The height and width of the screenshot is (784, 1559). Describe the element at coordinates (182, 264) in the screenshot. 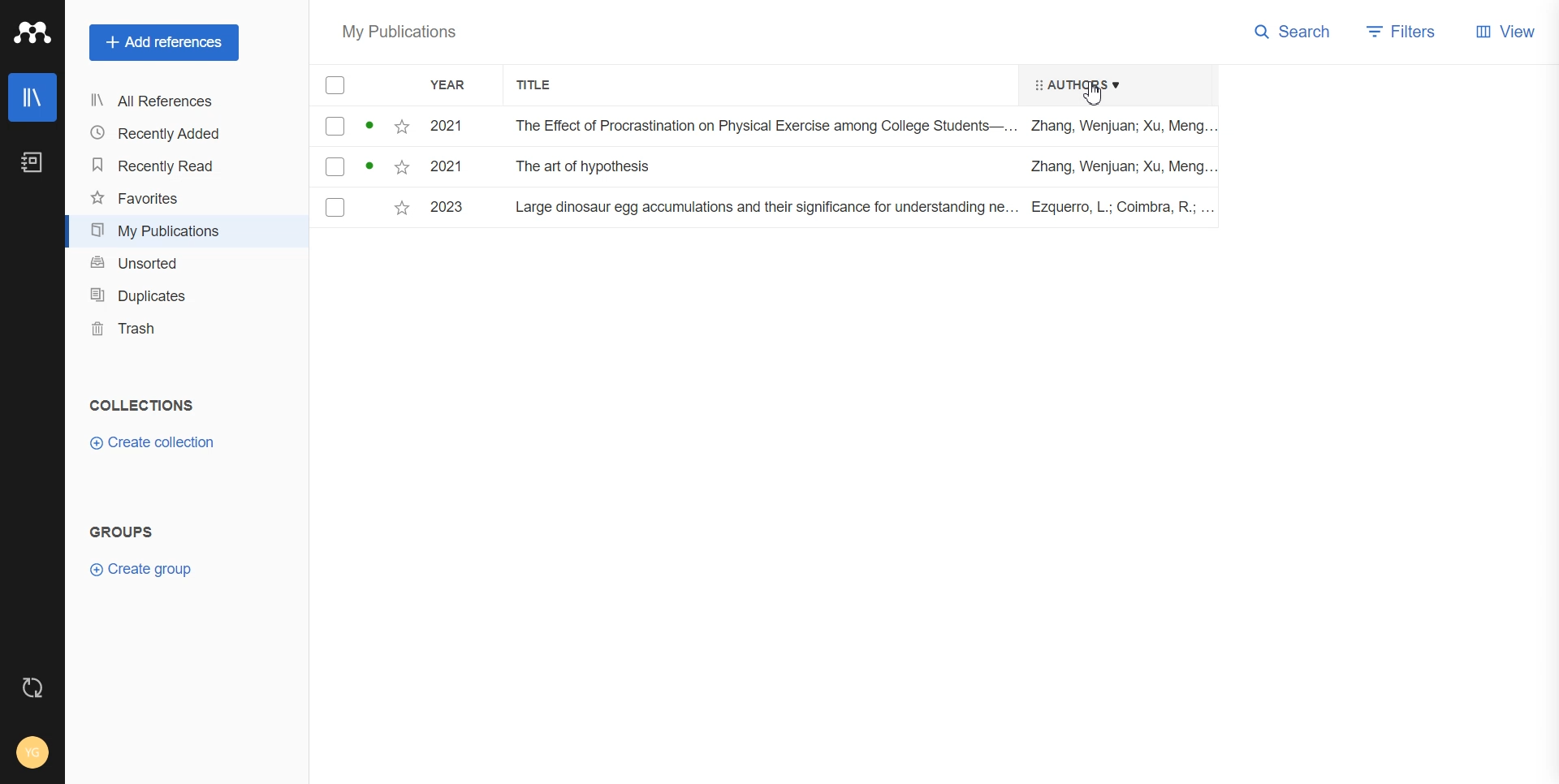

I see `Unsorted` at that location.